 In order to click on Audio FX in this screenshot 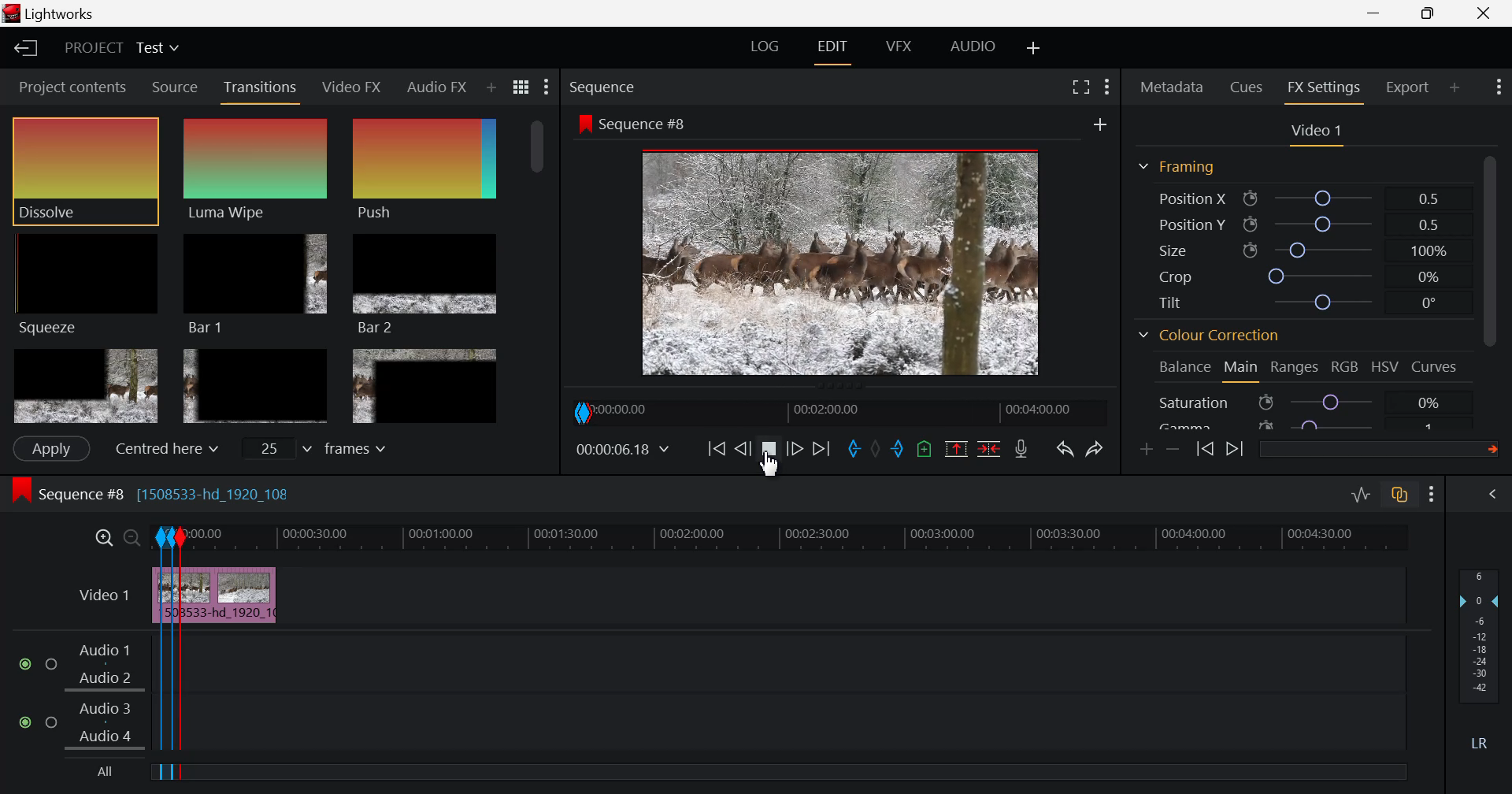, I will do `click(435, 88)`.